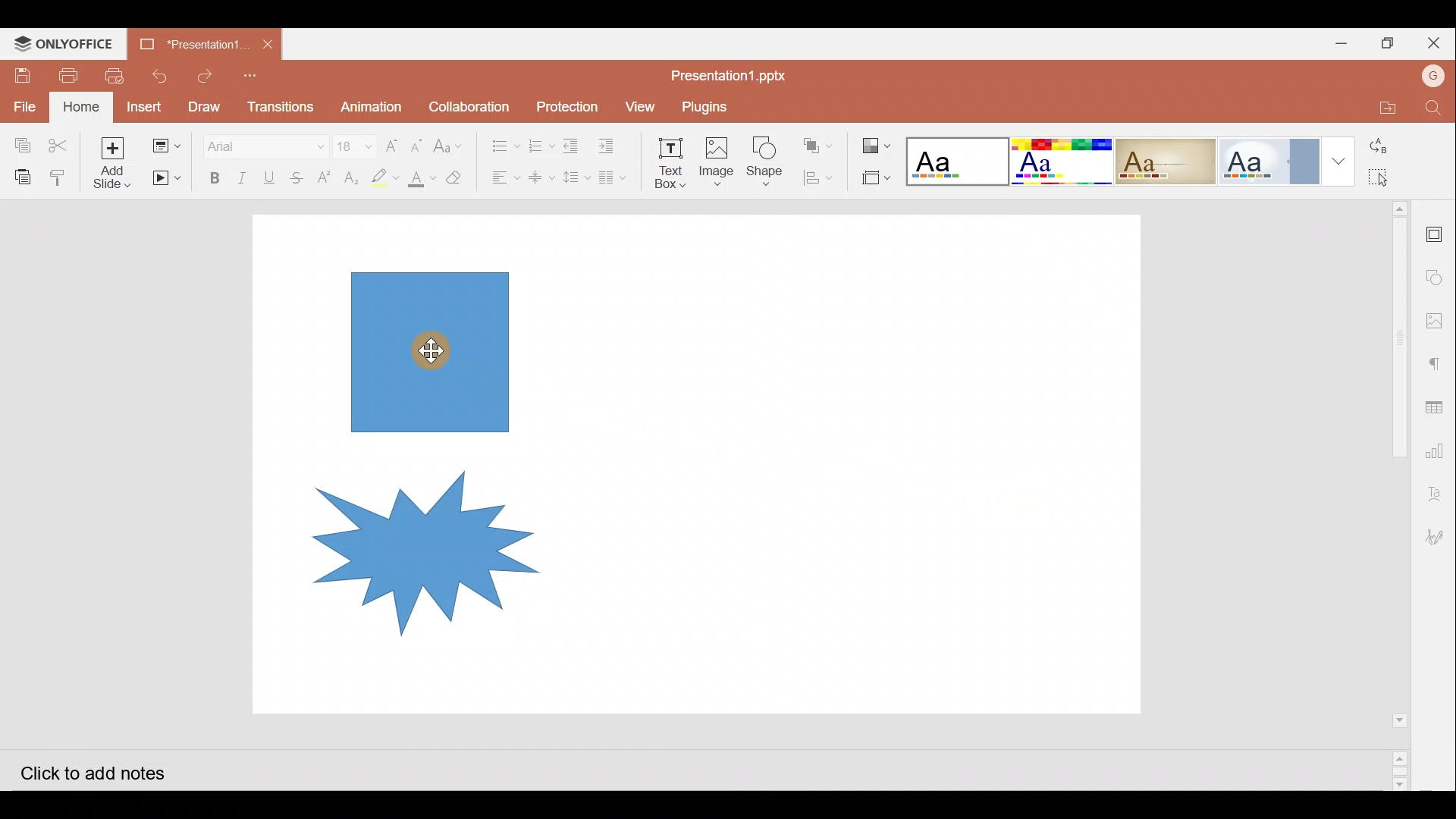  I want to click on Strikethrough, so click(300, 175).